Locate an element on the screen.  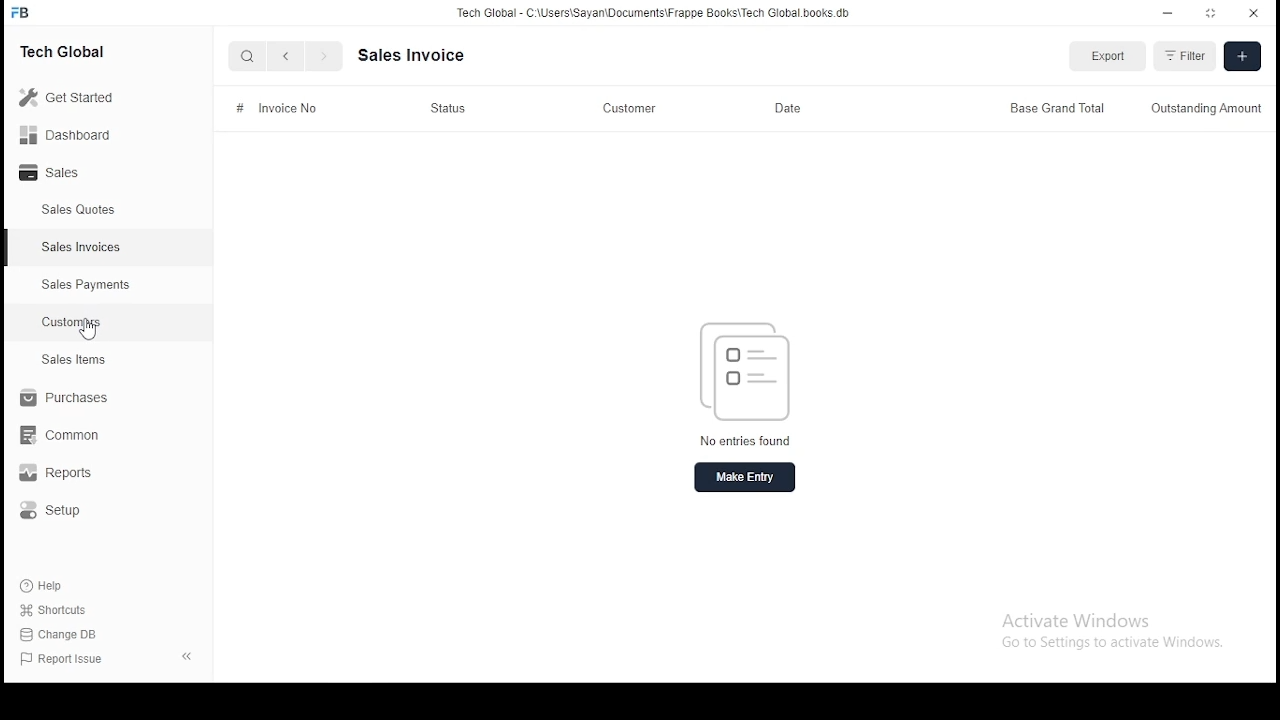
sales is located at coordinates (54, 174).